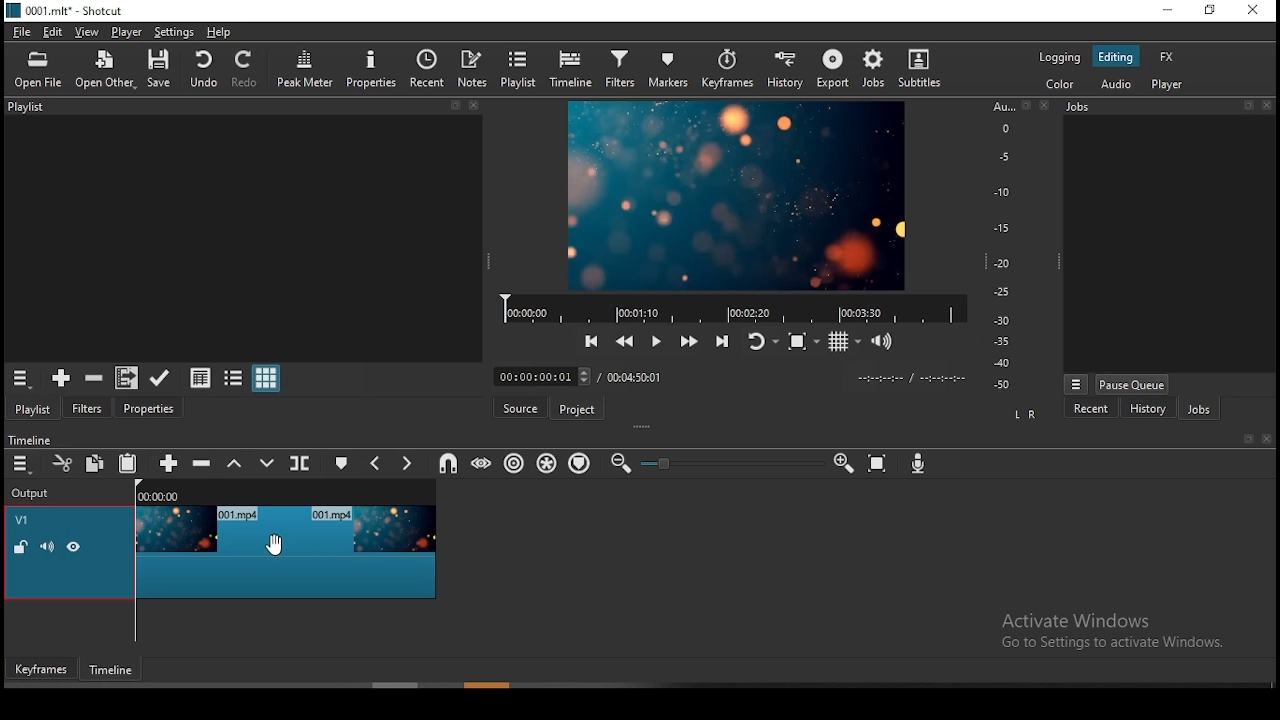  I want to click on file, so click(20, 33).